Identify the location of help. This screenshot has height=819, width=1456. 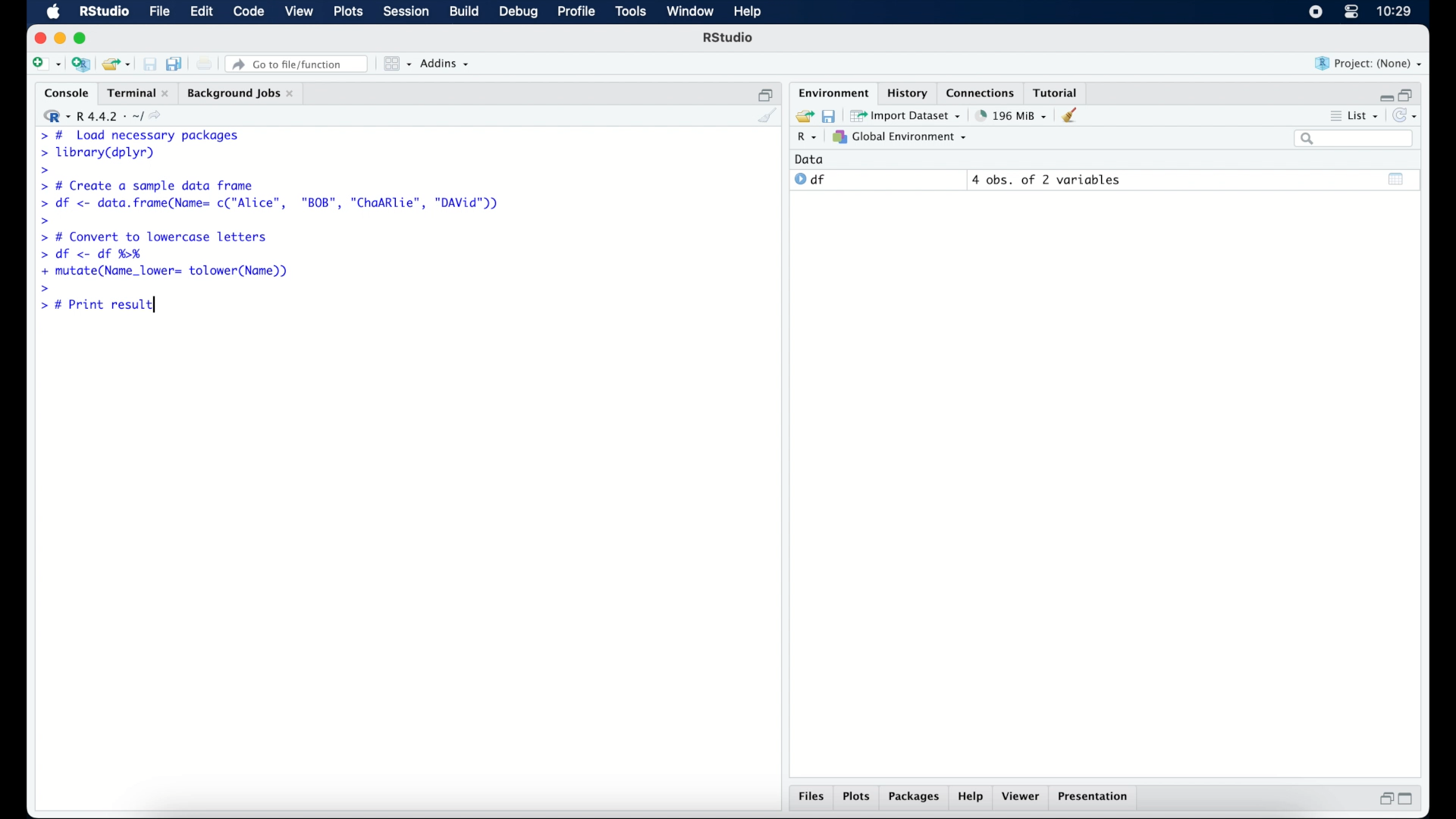
(971, 799).